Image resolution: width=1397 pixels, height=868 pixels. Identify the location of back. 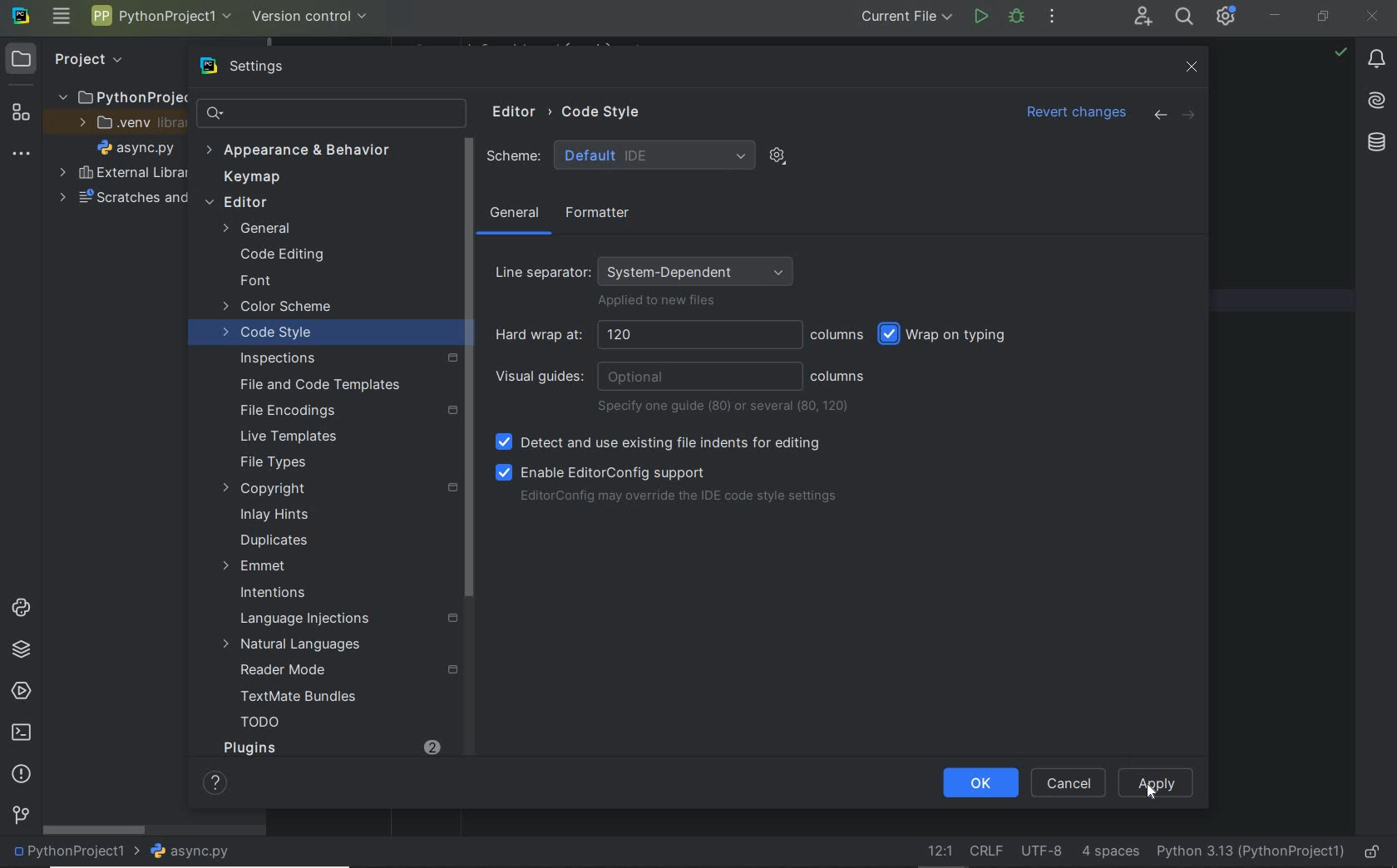
(1159, 116).